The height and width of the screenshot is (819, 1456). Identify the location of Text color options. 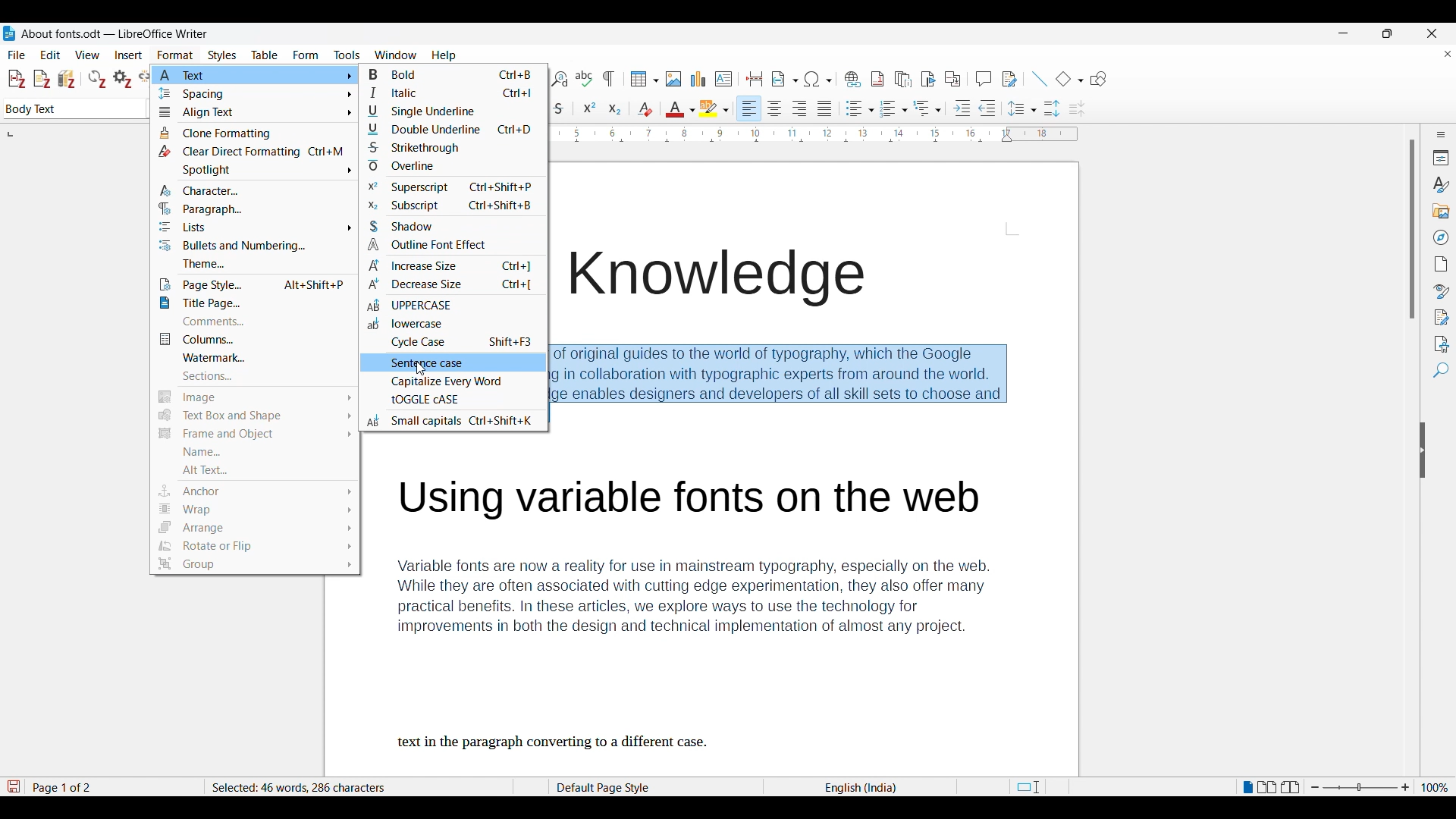
(681, 108).